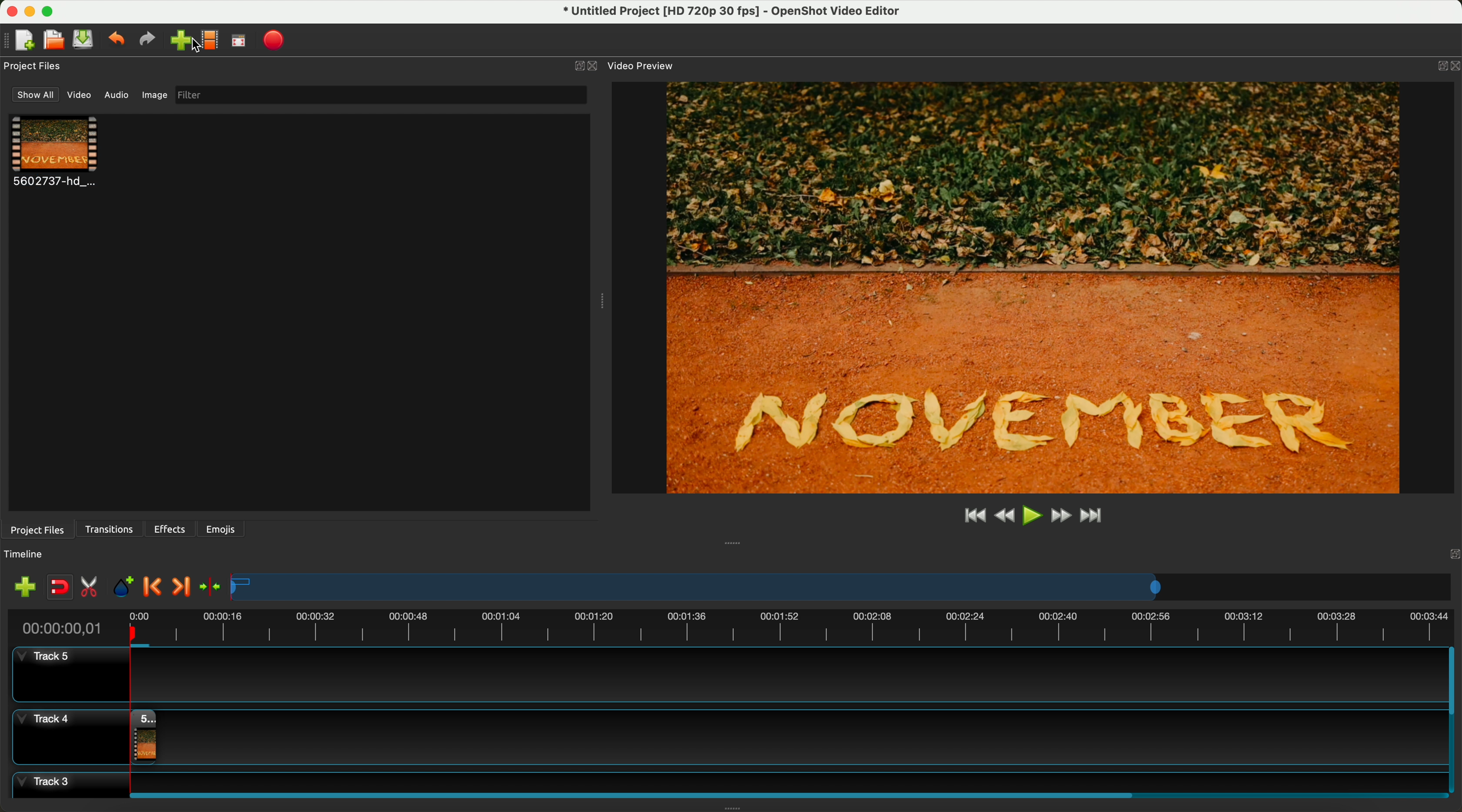 This screenshot has height=812, width=1462. What do you see at coordinates (111, 529) in the screenshot?
I see `transitions` at bounding box center [111, 529].